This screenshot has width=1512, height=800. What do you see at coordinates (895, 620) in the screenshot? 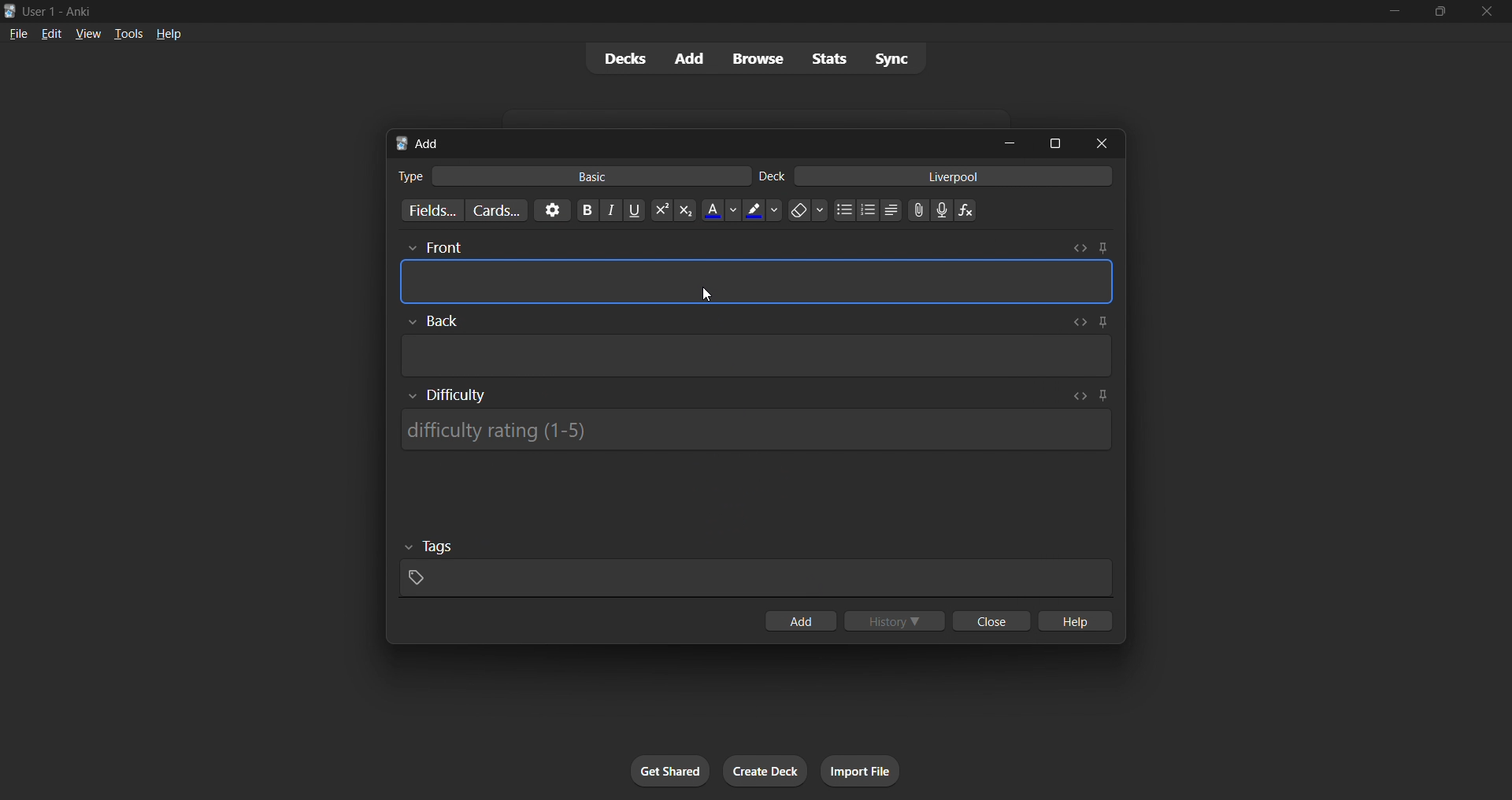
I see `history` at bounding box center [895, 620].